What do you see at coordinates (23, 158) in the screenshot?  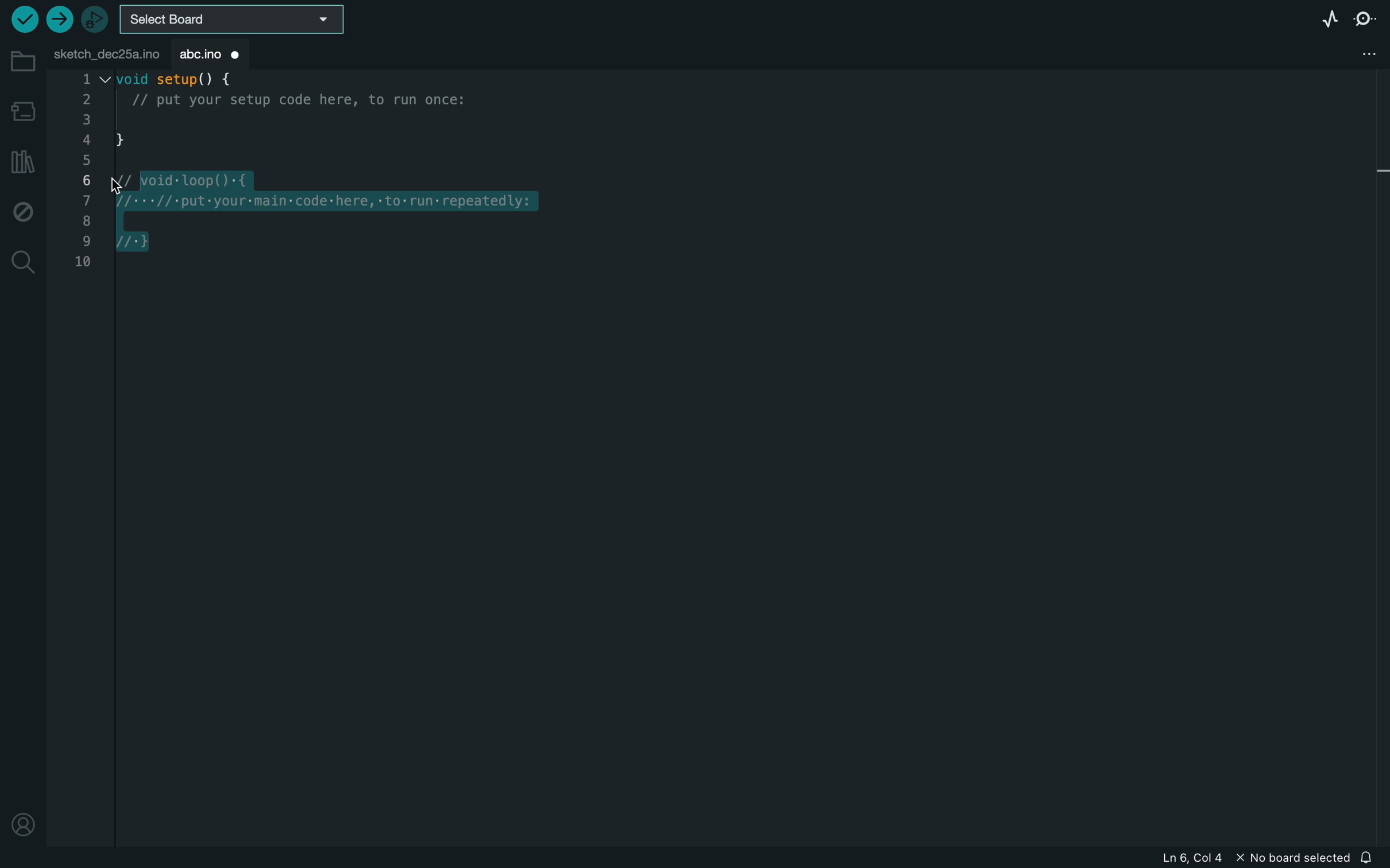 I see `library  manager` at bounding box center [23, 158].